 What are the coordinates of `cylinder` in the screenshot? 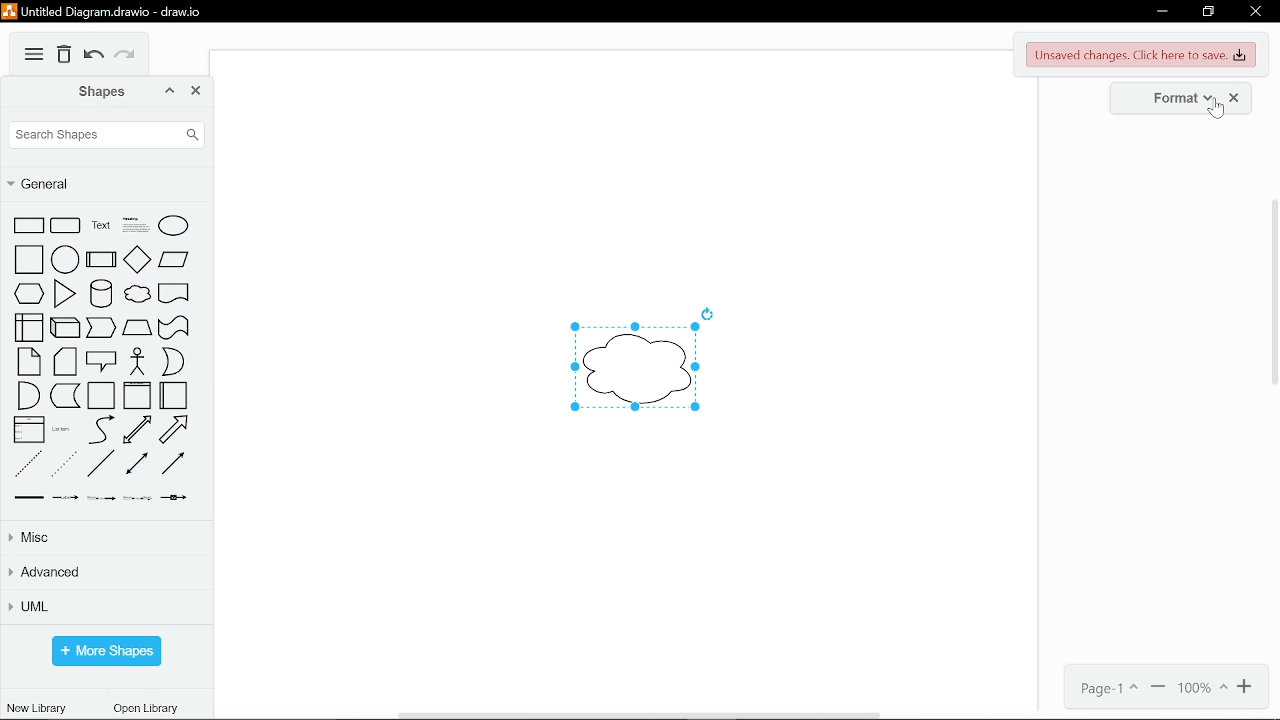 It's located at (100, 294).